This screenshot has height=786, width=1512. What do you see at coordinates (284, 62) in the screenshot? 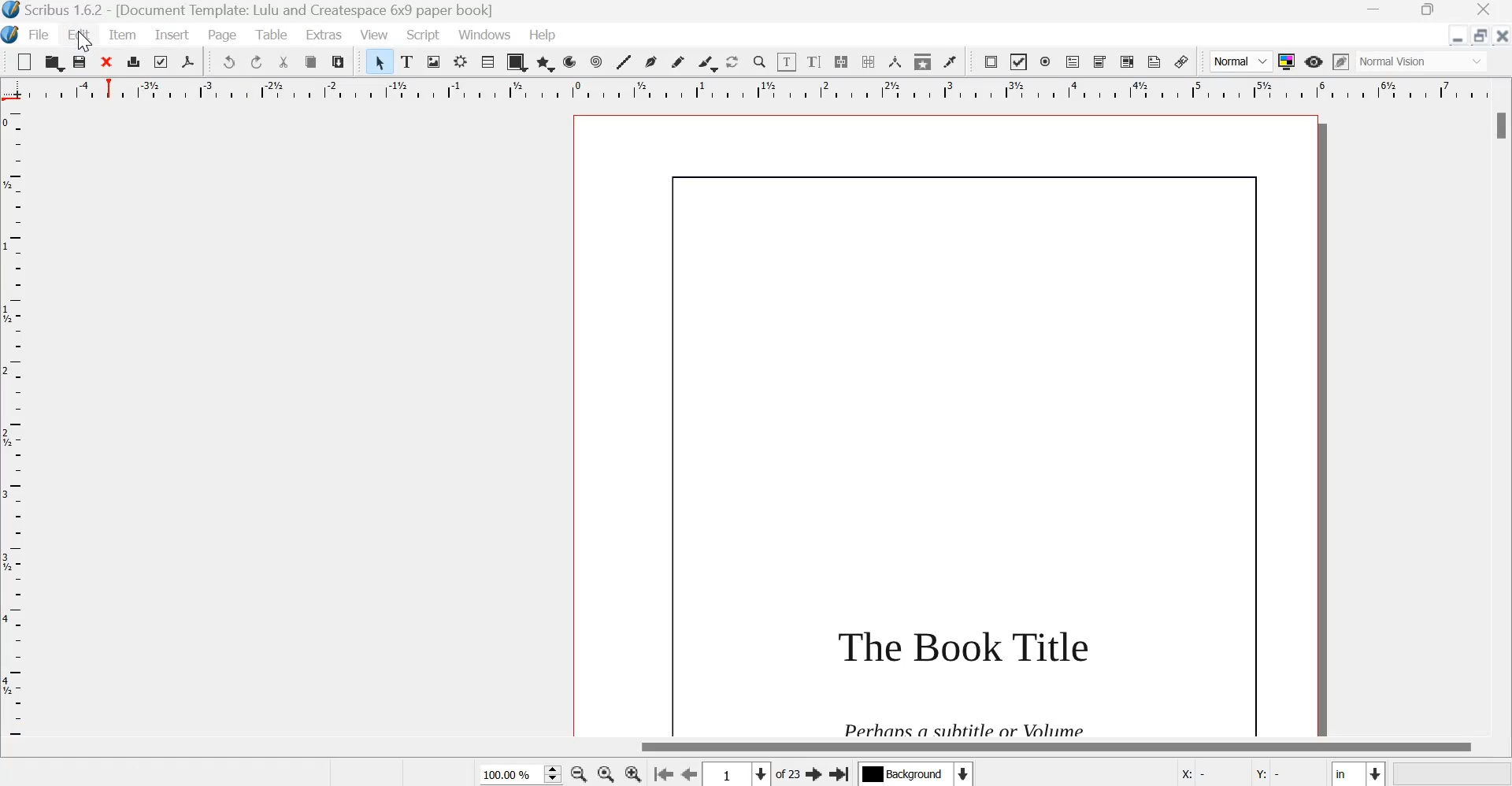
I see `cut` at bounding box center [284, 62].